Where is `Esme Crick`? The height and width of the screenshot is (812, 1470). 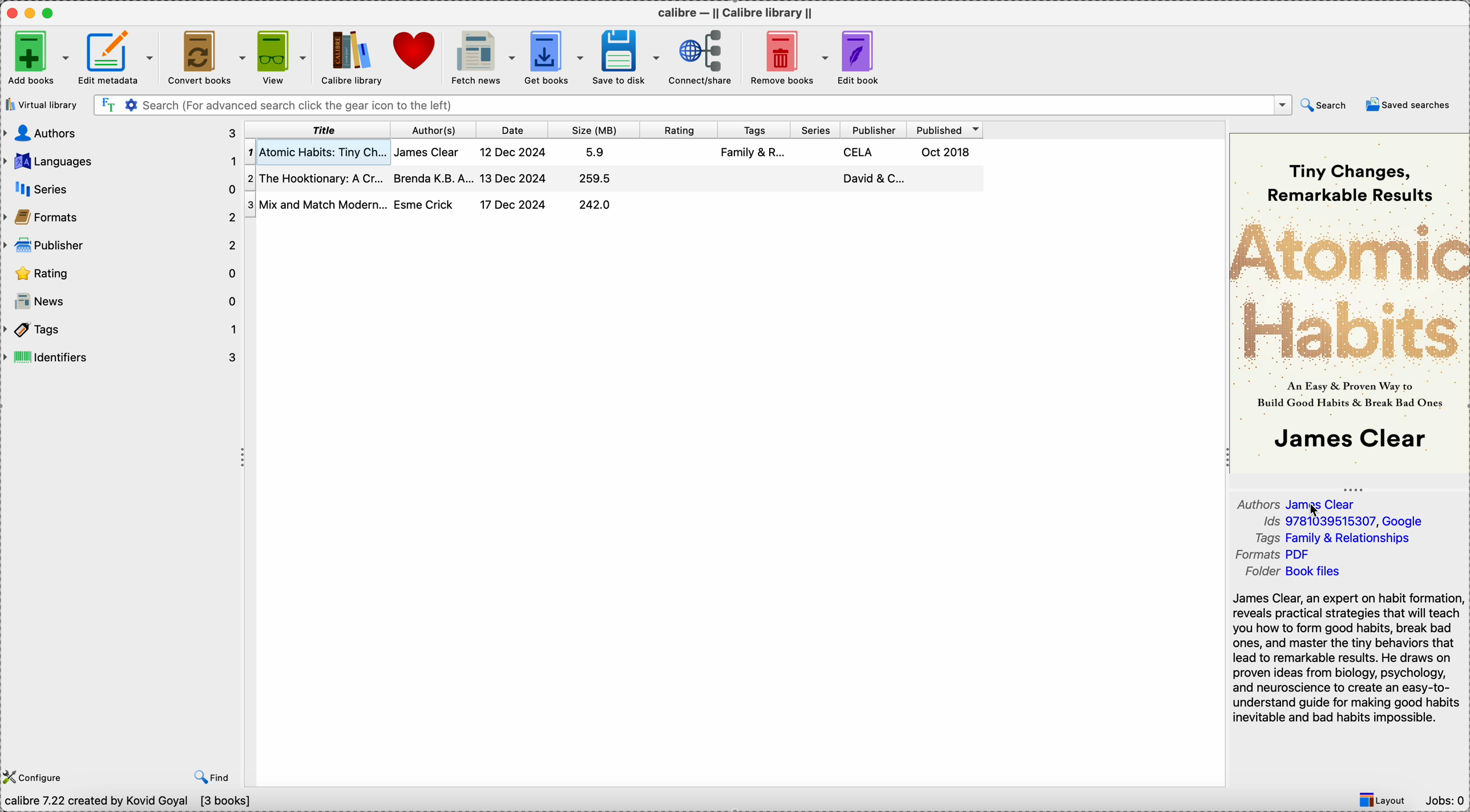 Esme Crick is located at coordinates (426, 204).